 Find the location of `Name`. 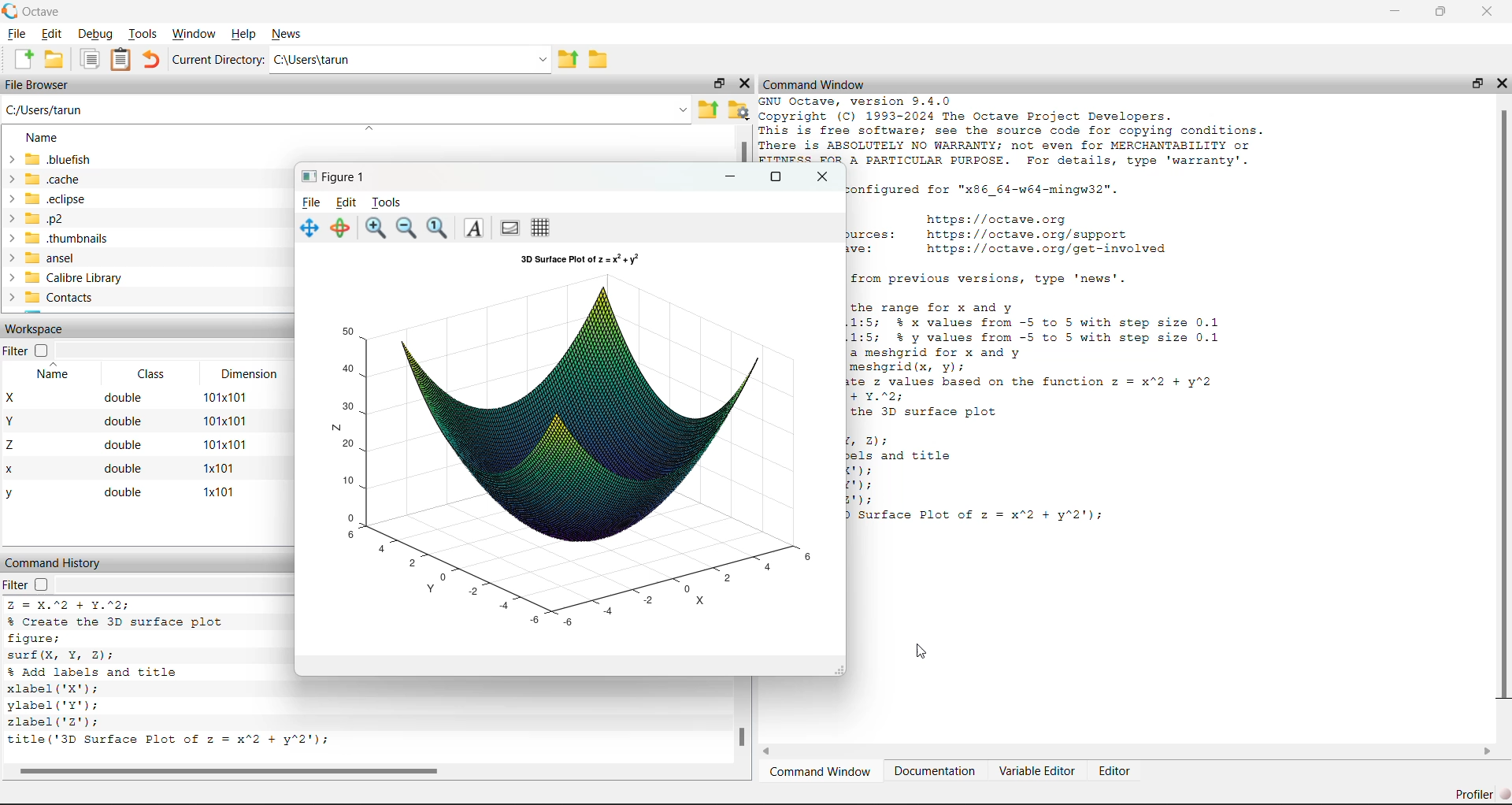

Name is located at coordinates (43, 137).